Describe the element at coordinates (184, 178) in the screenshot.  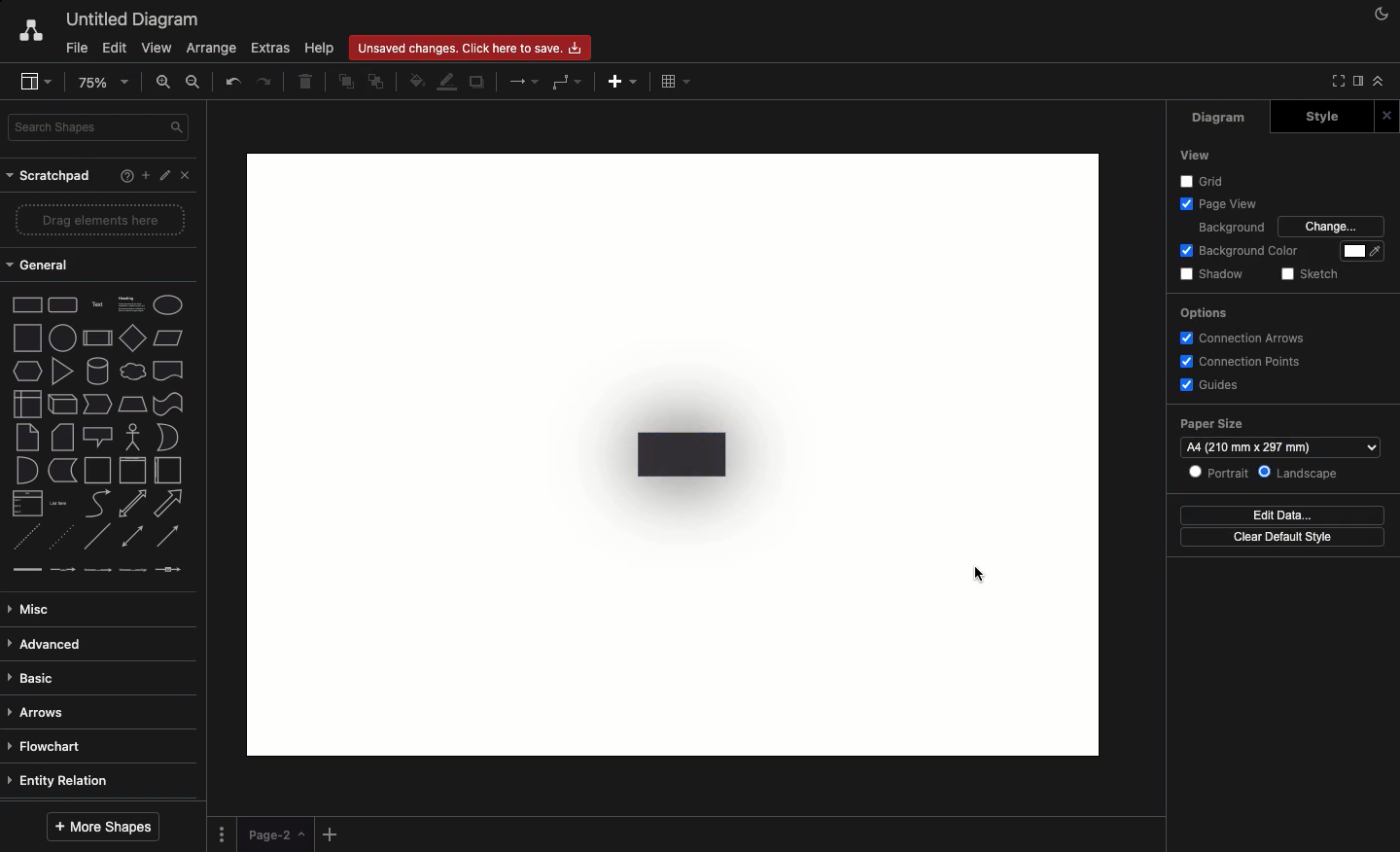
I see `Close` at that location.